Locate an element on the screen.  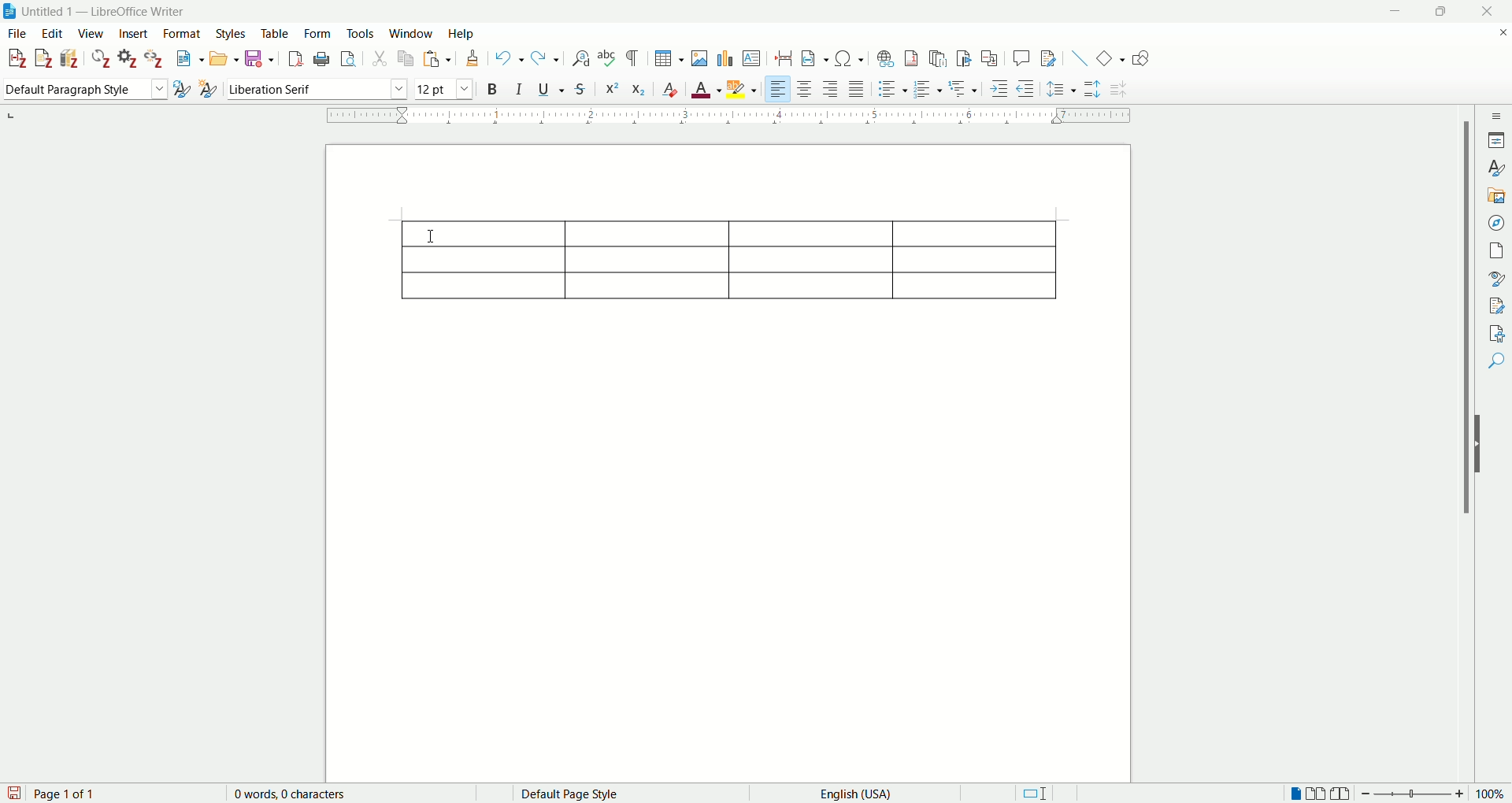
export is located at coordinates (296, 59).